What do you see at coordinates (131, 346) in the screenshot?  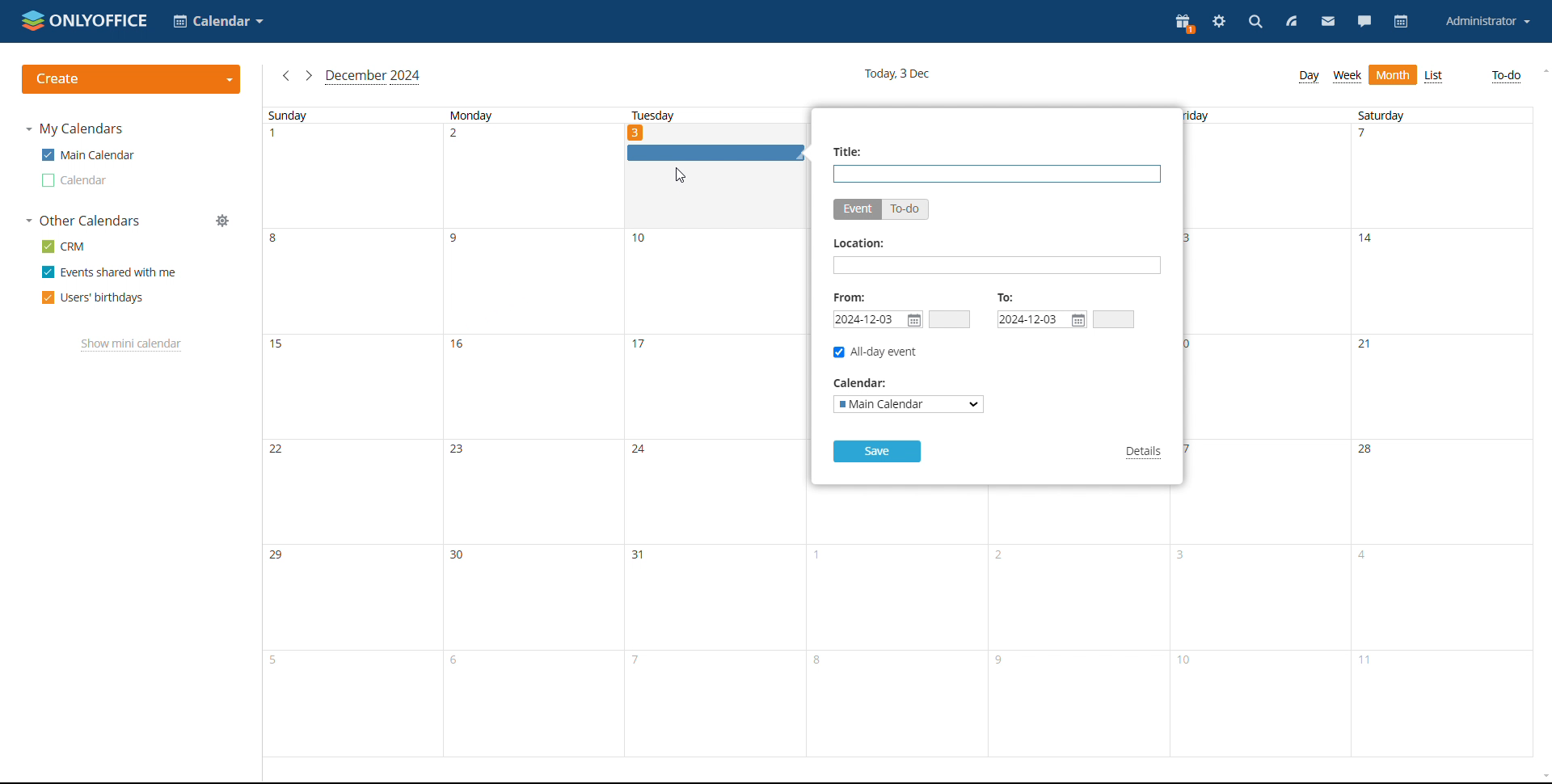 I see `show mini calendar` at bounding box center [131, 346].